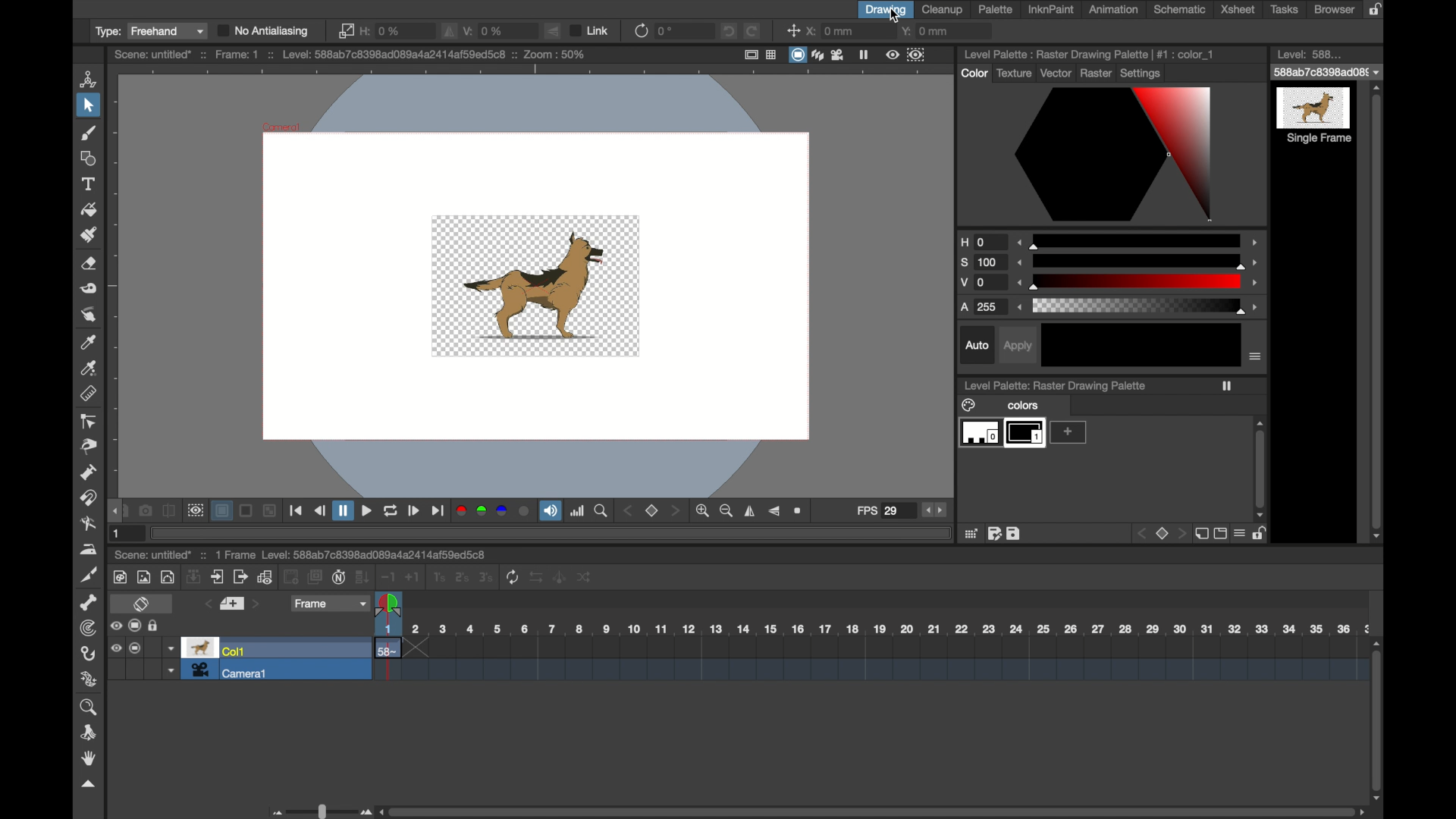 The height and width of the screenshot is (819, 1456). What do you see at coordinates (1285, 10) in the screenshot?
I see `tasks` at bounding box center [1285, 10].